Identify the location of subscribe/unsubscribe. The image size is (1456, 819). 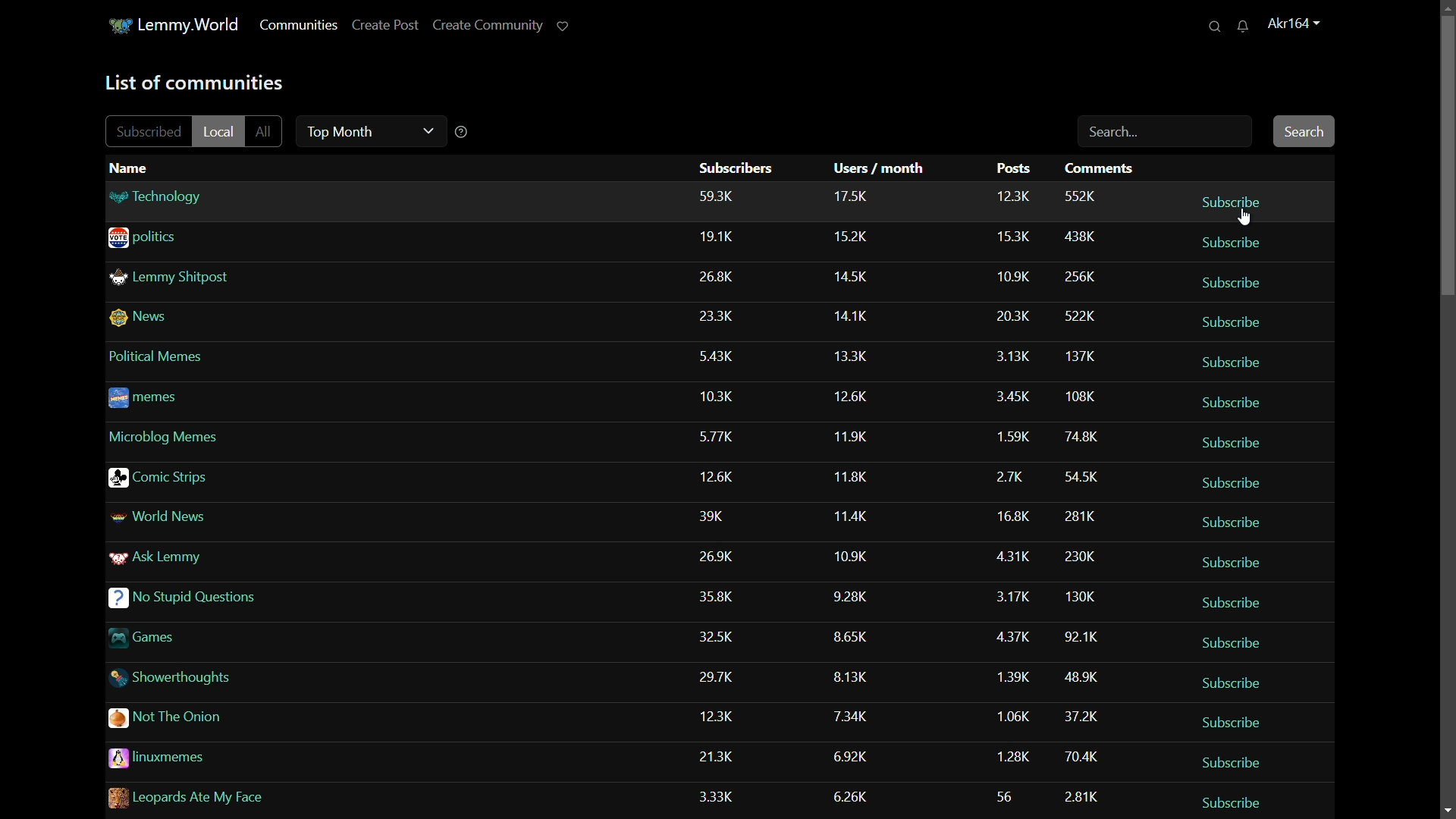
(1232, 721).